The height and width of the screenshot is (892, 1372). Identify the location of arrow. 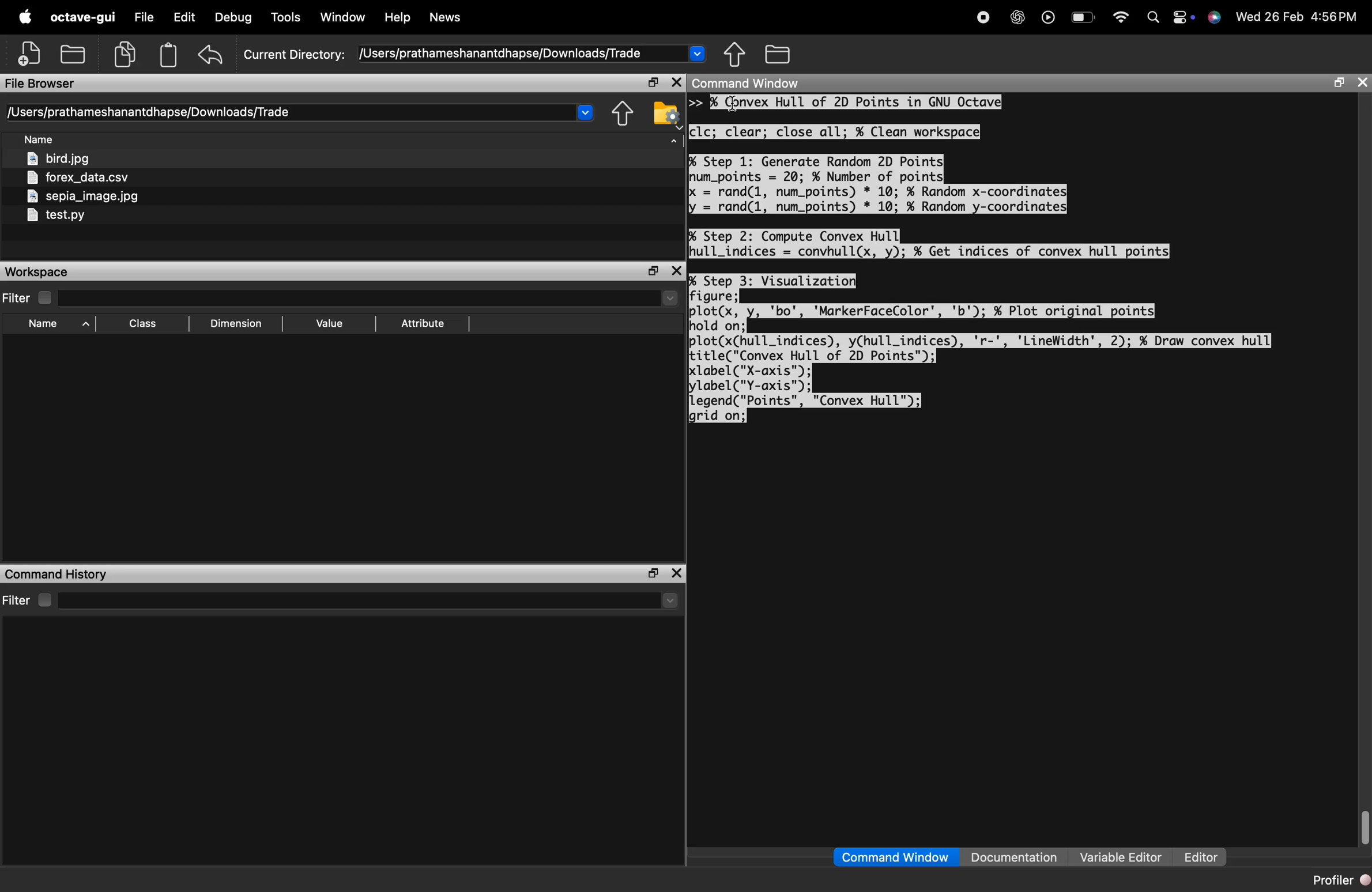
(677, 141).